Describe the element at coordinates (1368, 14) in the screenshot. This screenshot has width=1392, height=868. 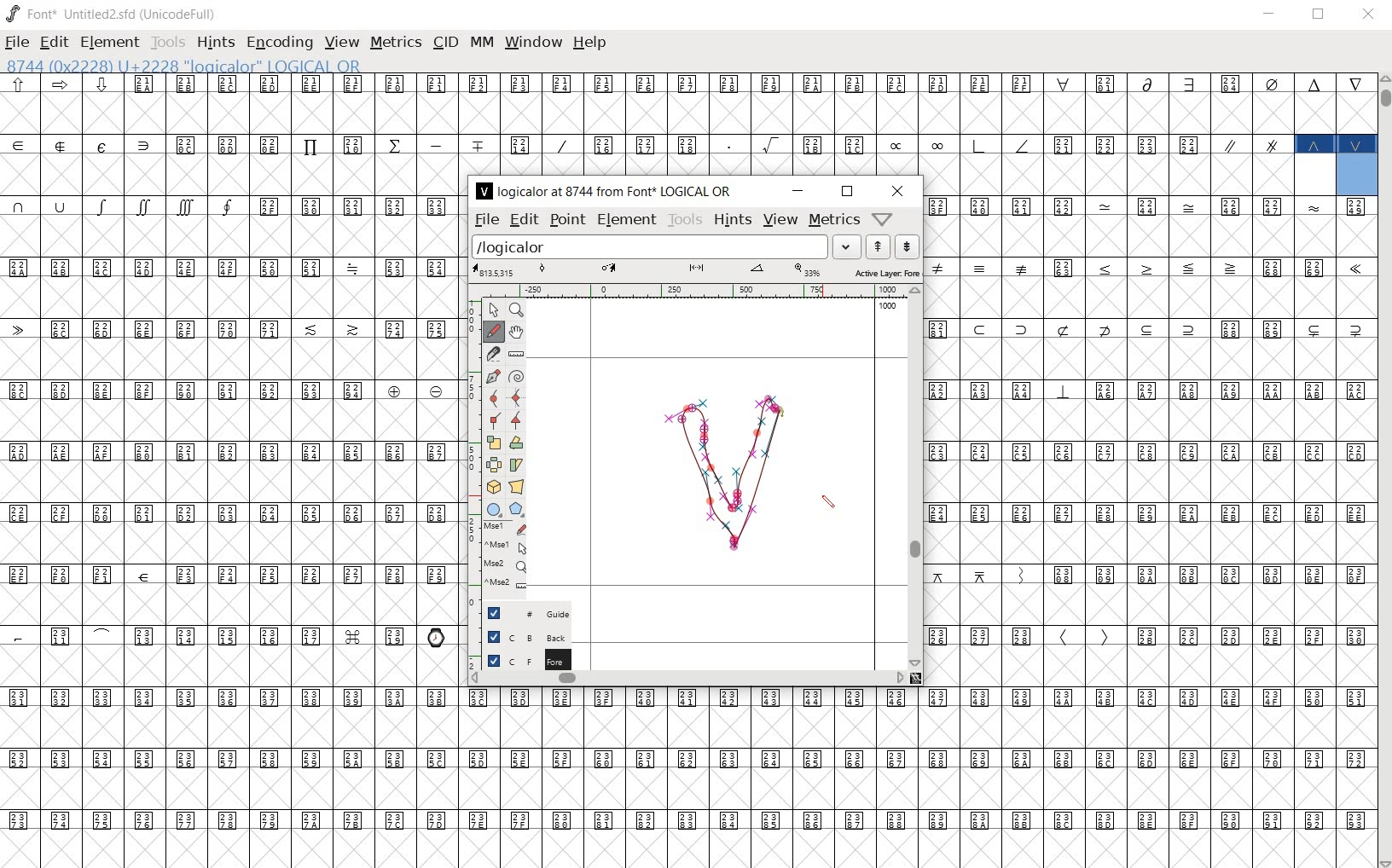
I see `close` at that location.